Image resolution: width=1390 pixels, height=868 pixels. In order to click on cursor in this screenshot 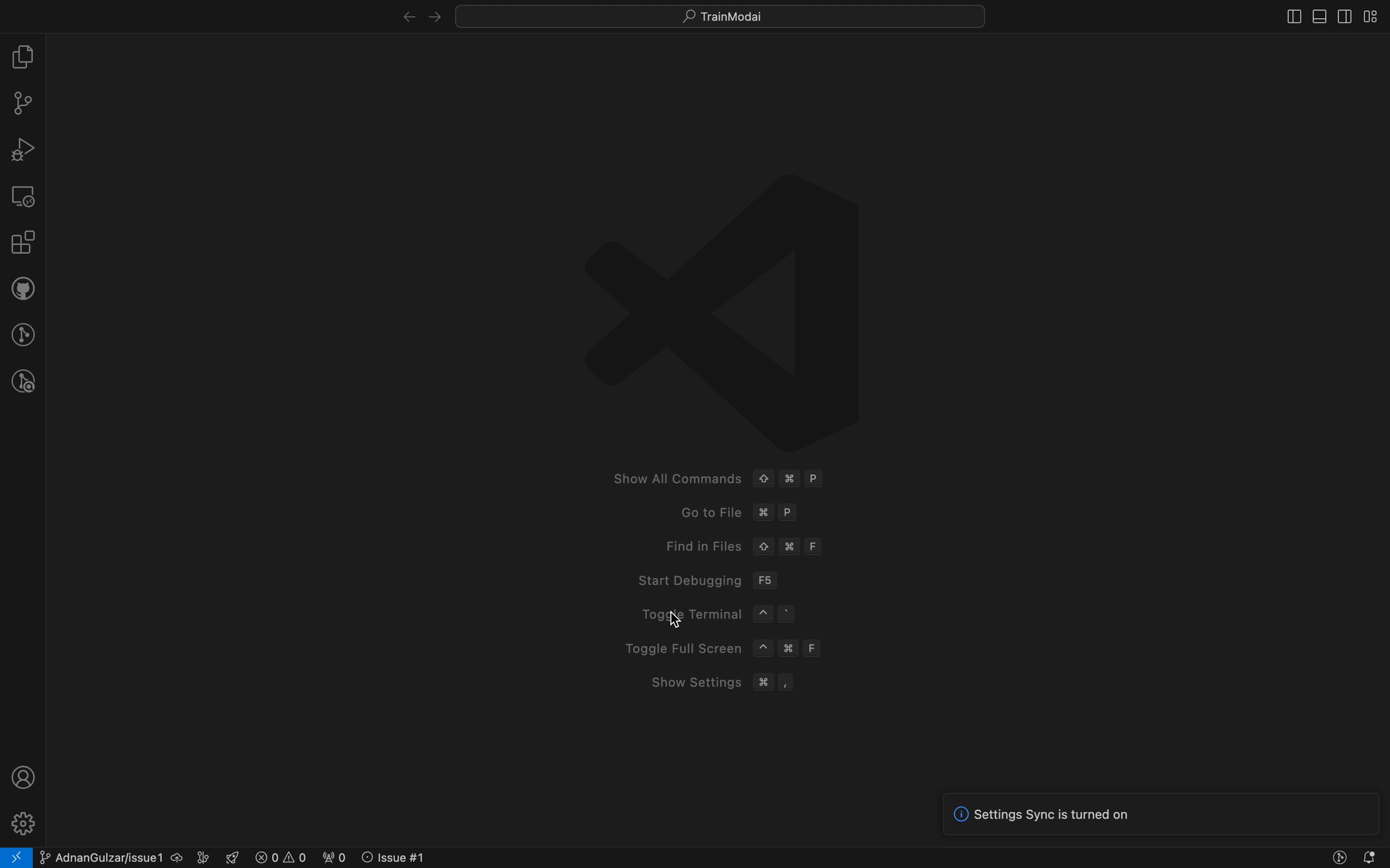, I will do `click(682, 620)`.